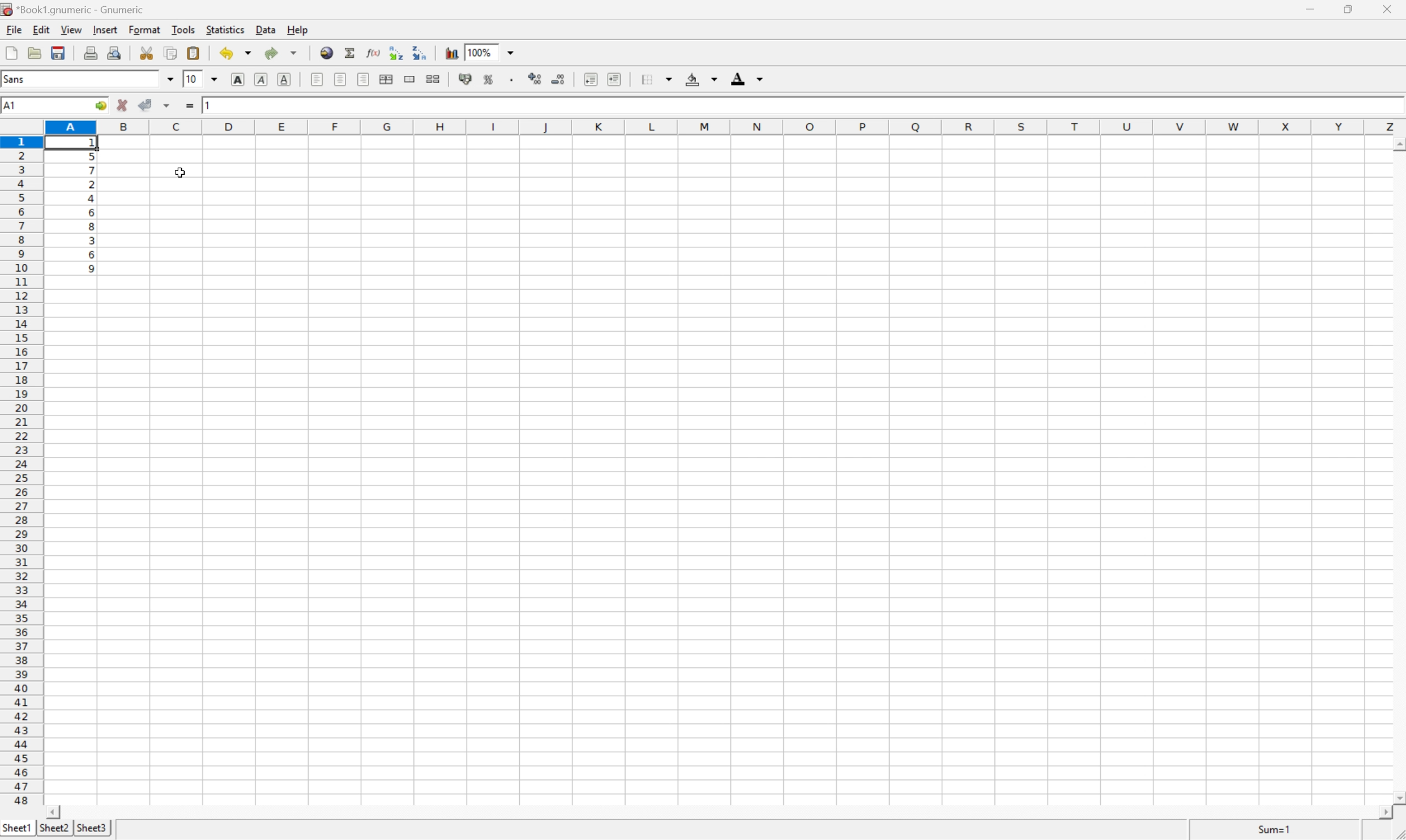 The width and height of the screenshot is (1406, 840). What do you see at coordinates (365, 80) in the screenshot?
I see `align left` at bounding box center [365, 80].